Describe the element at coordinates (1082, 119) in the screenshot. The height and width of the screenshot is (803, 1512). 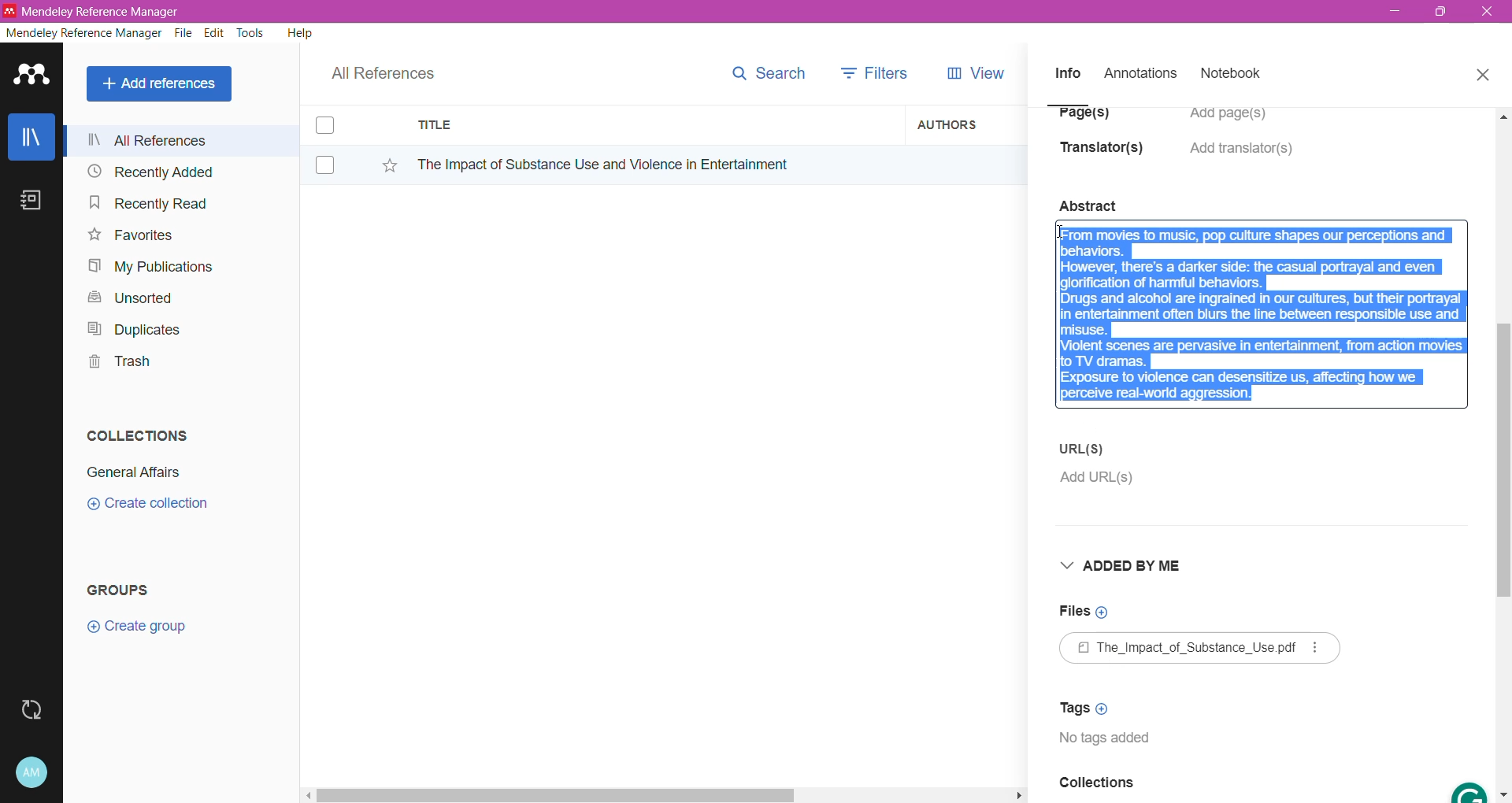
I see `Page(s)` at that location.